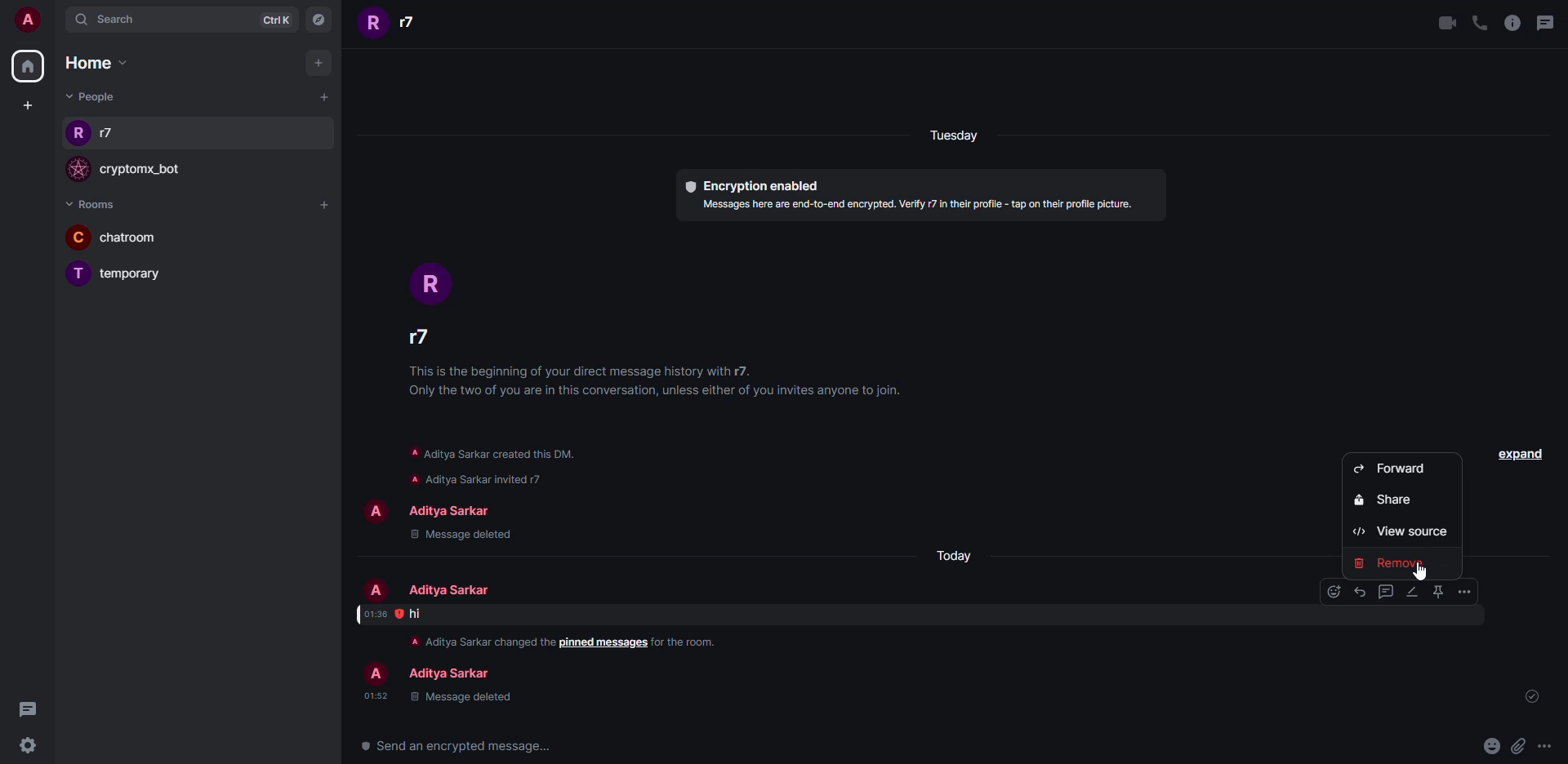  I want to click on info, so click(1512, 23).